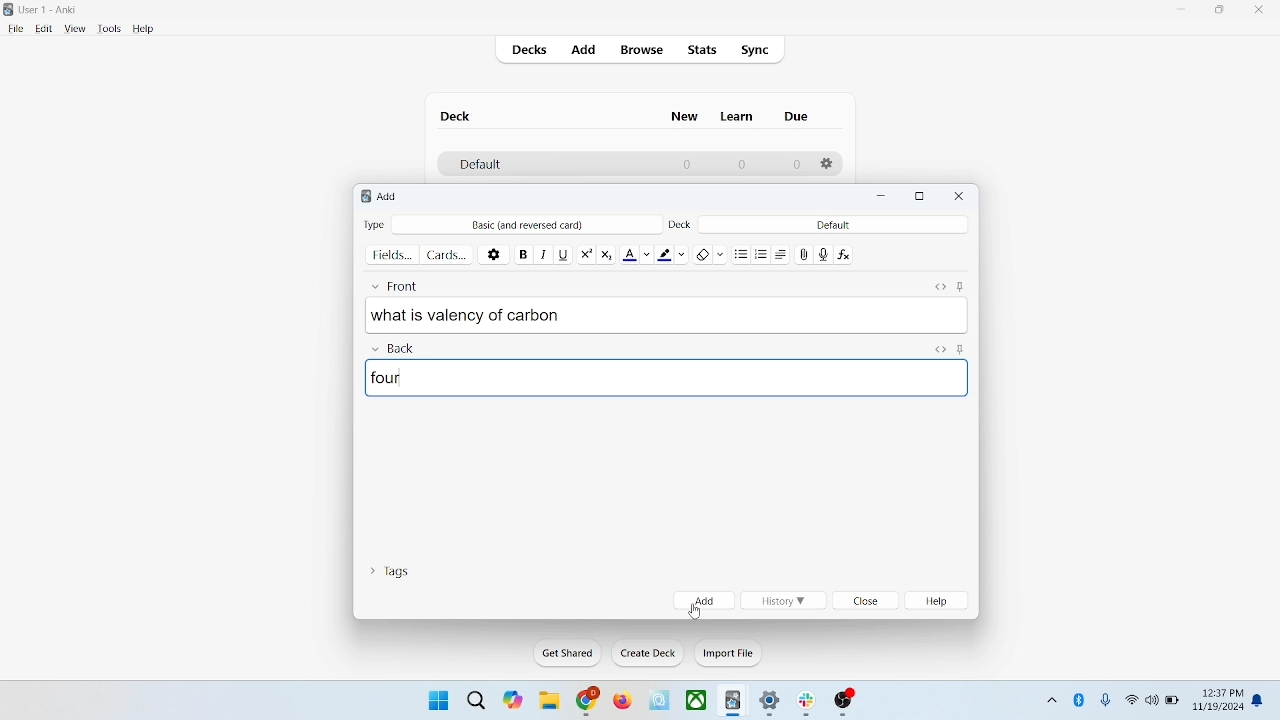  I want to click on add, so click(704, 600).